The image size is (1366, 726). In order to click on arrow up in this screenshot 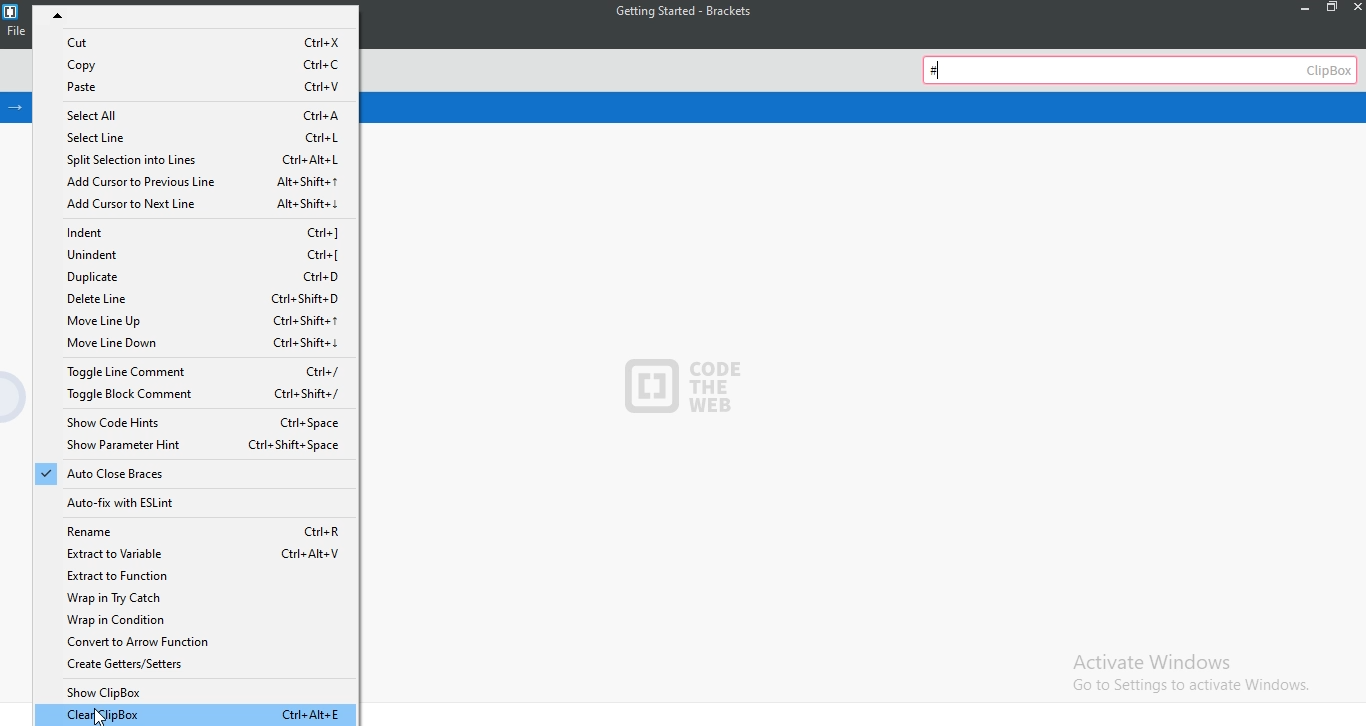, I will do `click(203, 17)`.